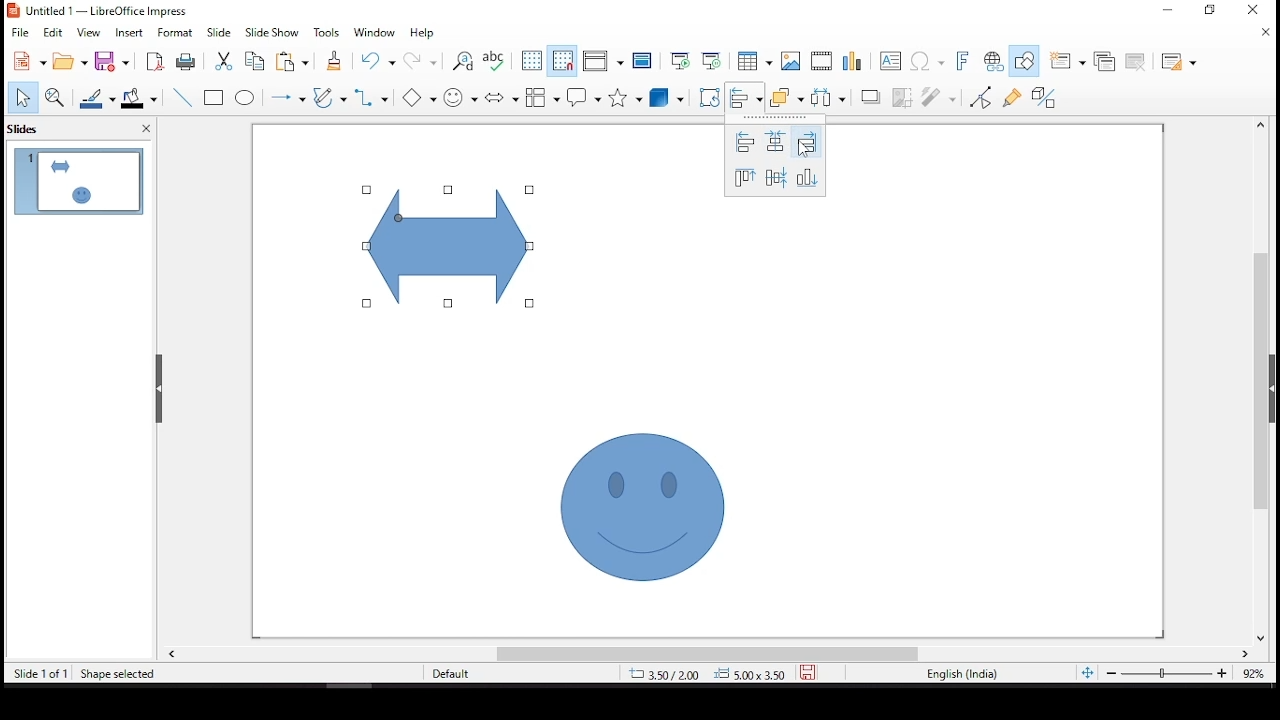 Image resolution: width=1280 pixels, height=720 pixels. What do you see at coordinates (298, 63) in the screenshot?
I see `paste` at bounding box center [298, 63].